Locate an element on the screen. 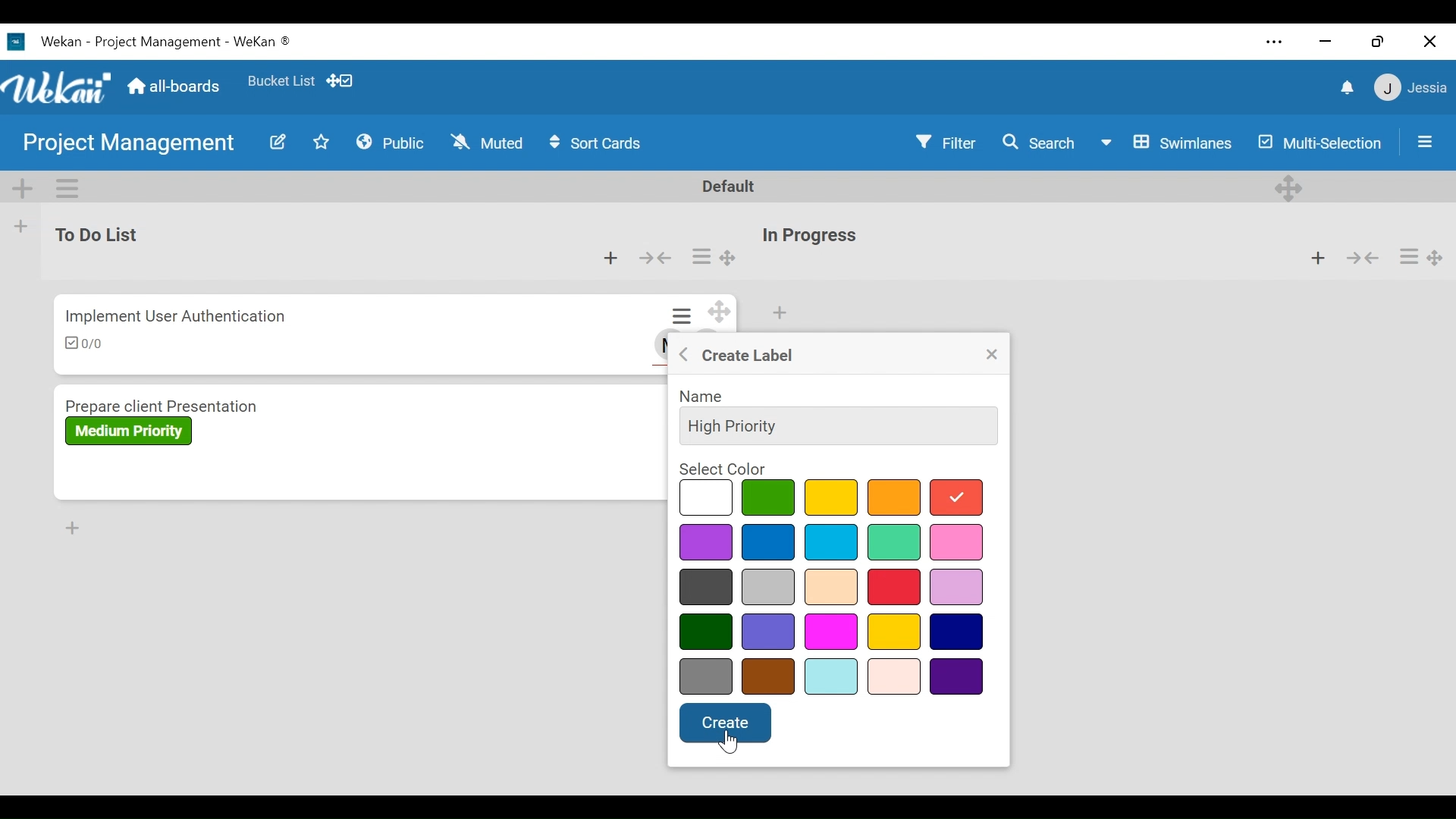 Image resolution: width=1456 pixels, height=819 pixels. create is located at coordinates (726, 721).